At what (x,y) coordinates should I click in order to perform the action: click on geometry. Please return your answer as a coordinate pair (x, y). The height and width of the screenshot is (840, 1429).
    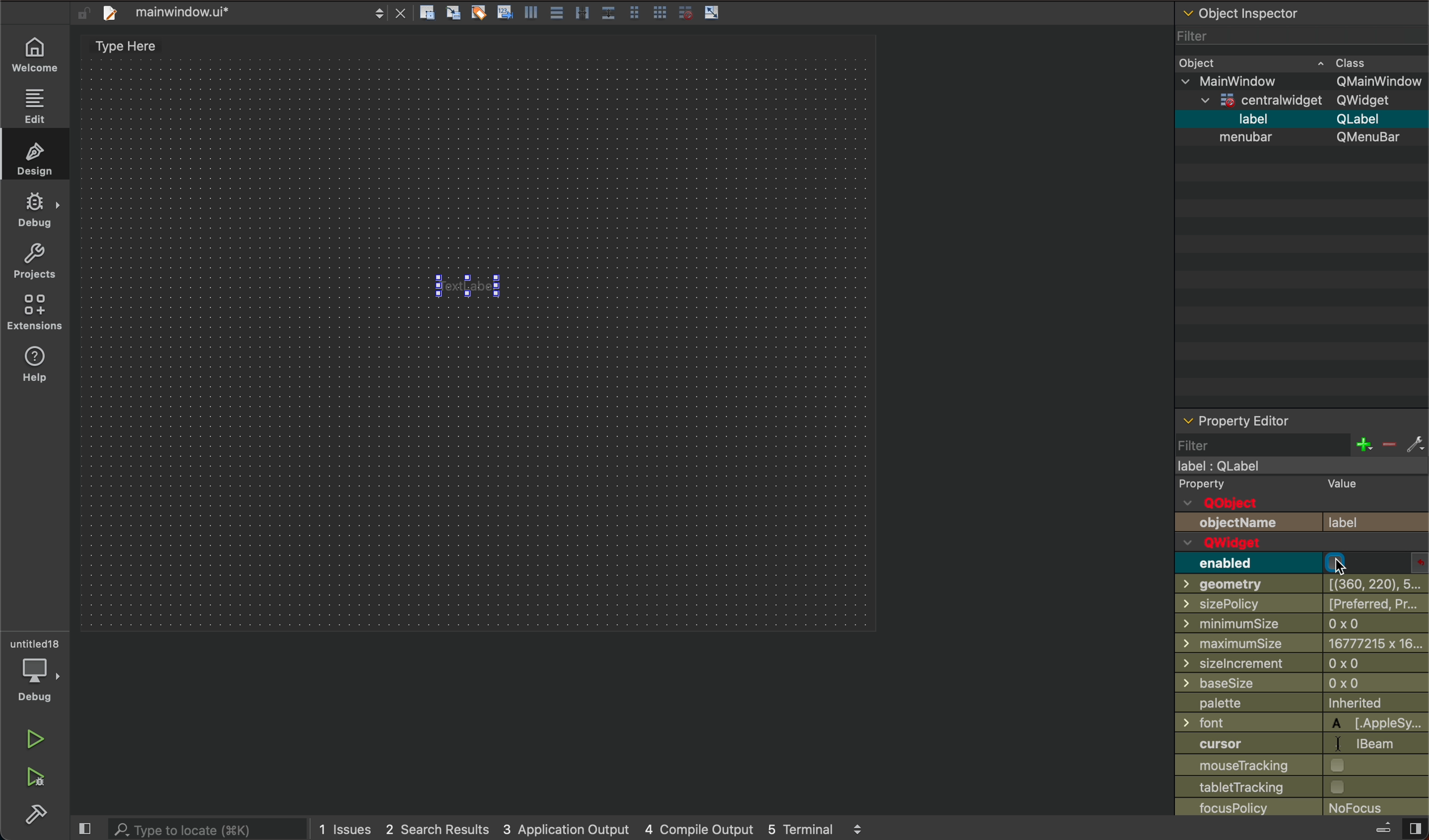
    Looking at the image, I should click on (1244, 583).